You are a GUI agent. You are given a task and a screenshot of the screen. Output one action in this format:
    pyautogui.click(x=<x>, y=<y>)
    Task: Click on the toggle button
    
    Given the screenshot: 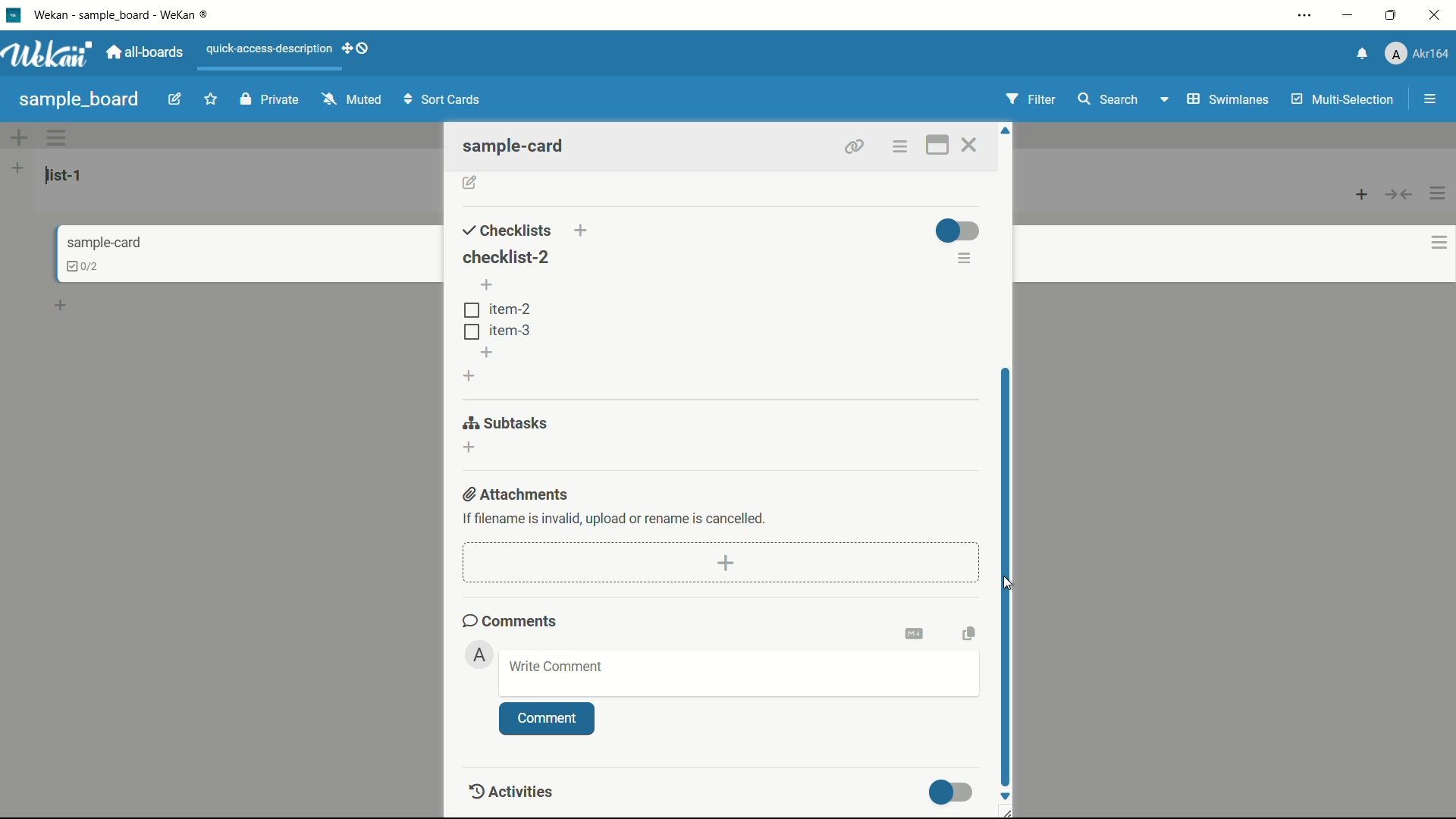 What is the action you would take?
    pyautogui.click(x=957, y=231)
    